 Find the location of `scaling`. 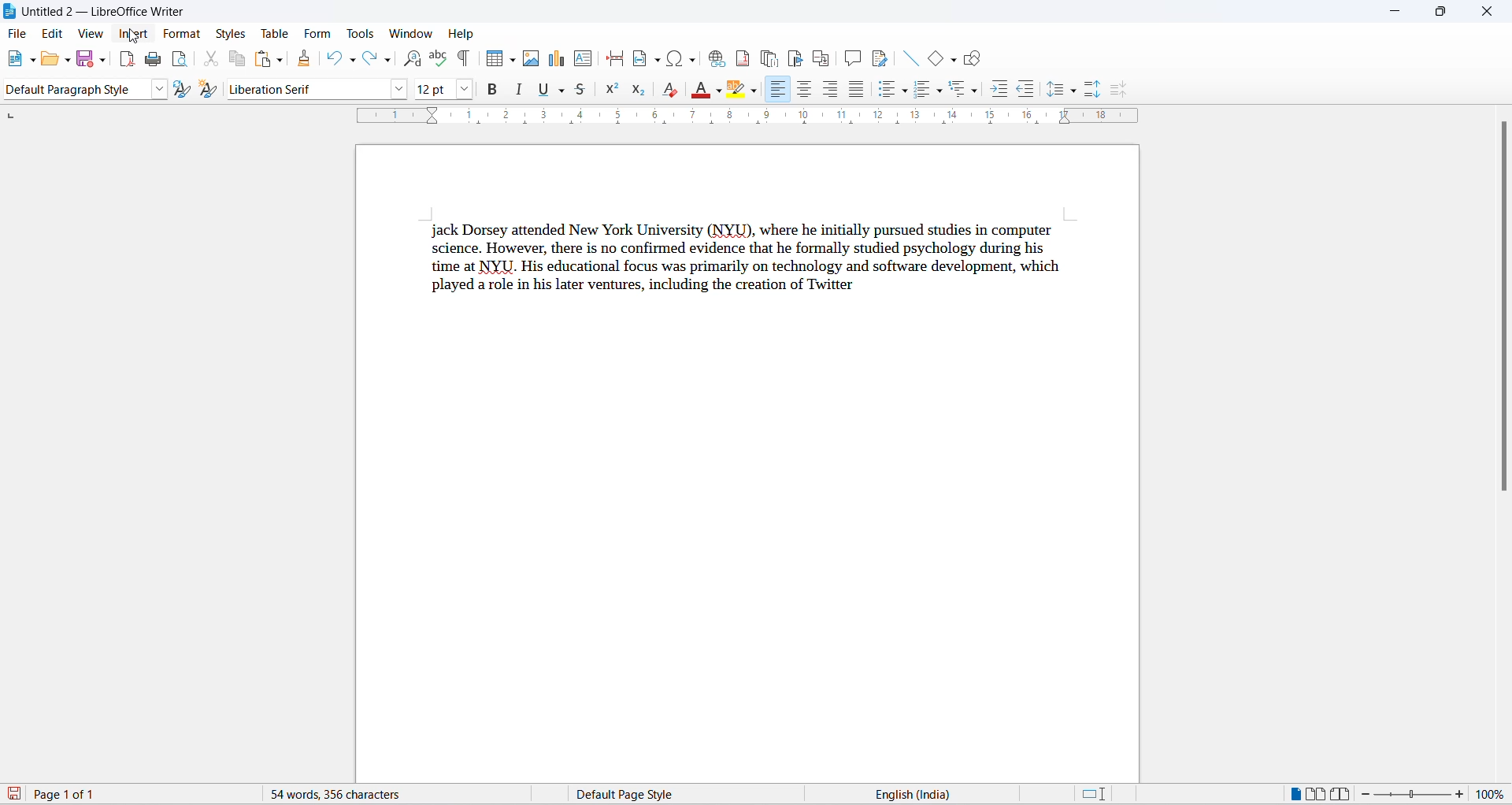

scaling is located at coordinates (764, 118).